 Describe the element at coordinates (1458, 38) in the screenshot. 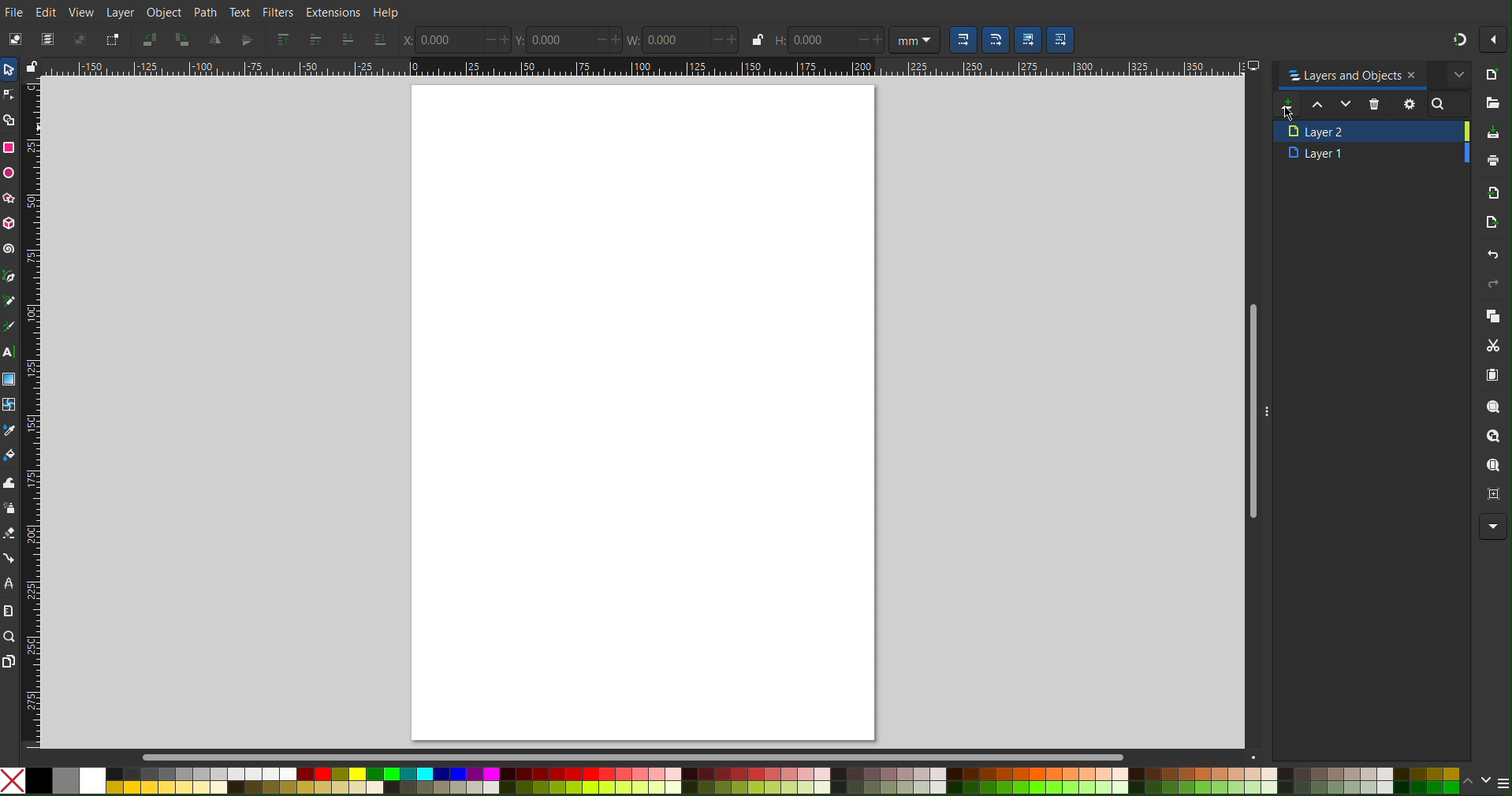

I see `Snapping` at that location.